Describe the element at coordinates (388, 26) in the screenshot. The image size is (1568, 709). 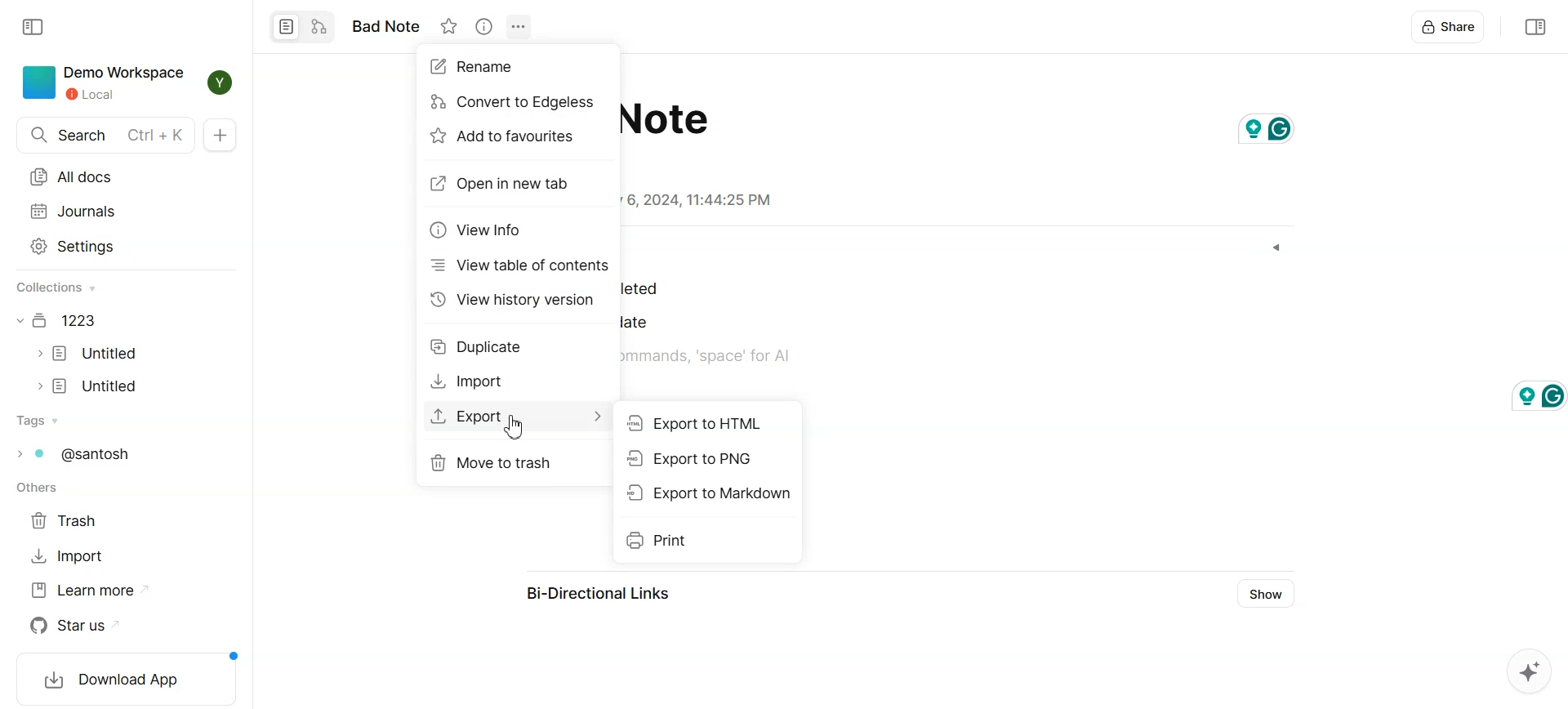
I see `note name` at that location.